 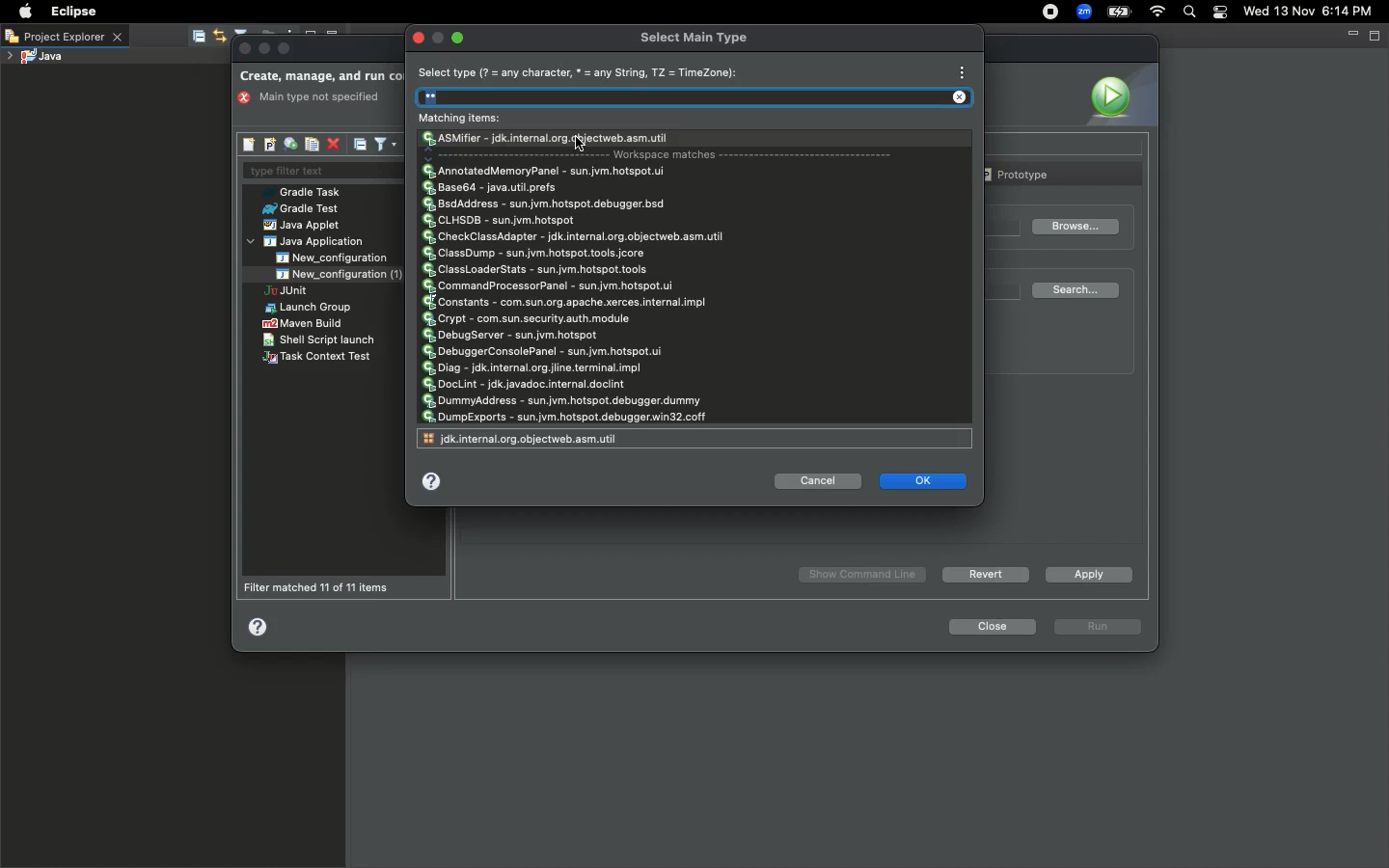 What do you see at coordinates (315, 98) in the screenshot?
I see `main type not specified` at bounding box center [315, 98].